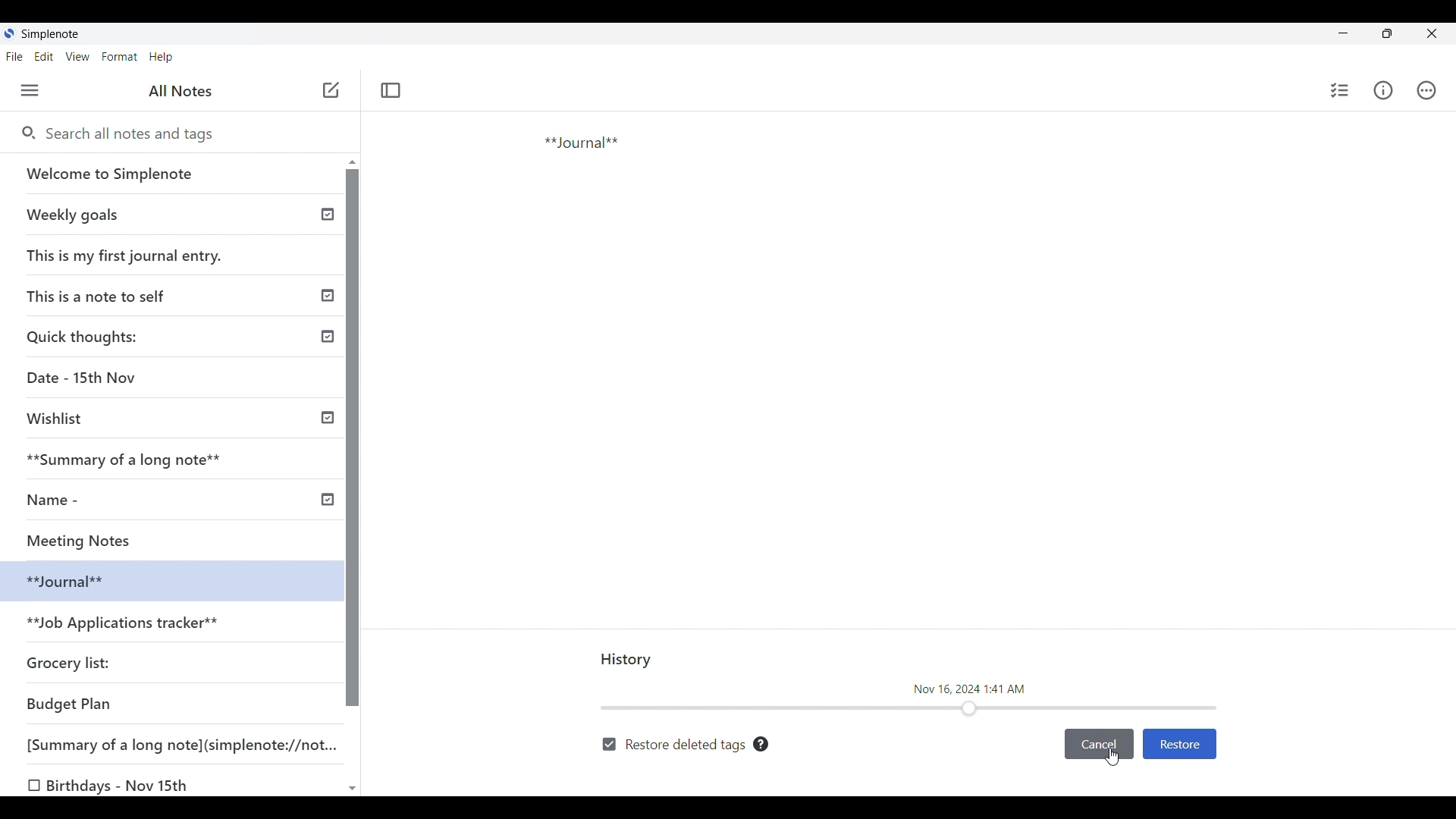 This screenshot has width=1456, height=819. Describe the element at coordinates (134, 459) in the screenshot. I see `**Summary of a long note**` at that location.